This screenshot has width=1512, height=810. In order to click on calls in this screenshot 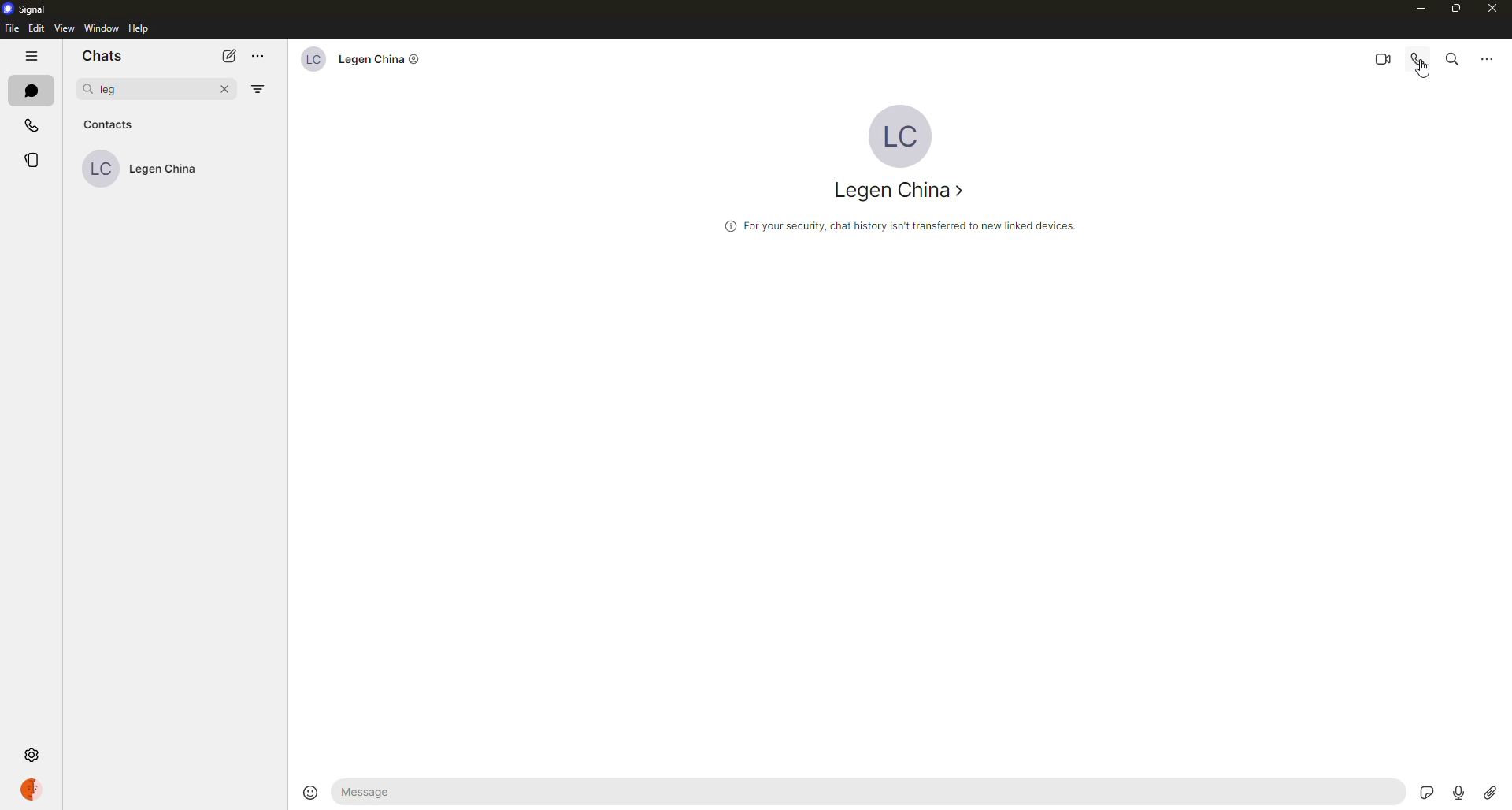, I will do `click(33, 125)`.